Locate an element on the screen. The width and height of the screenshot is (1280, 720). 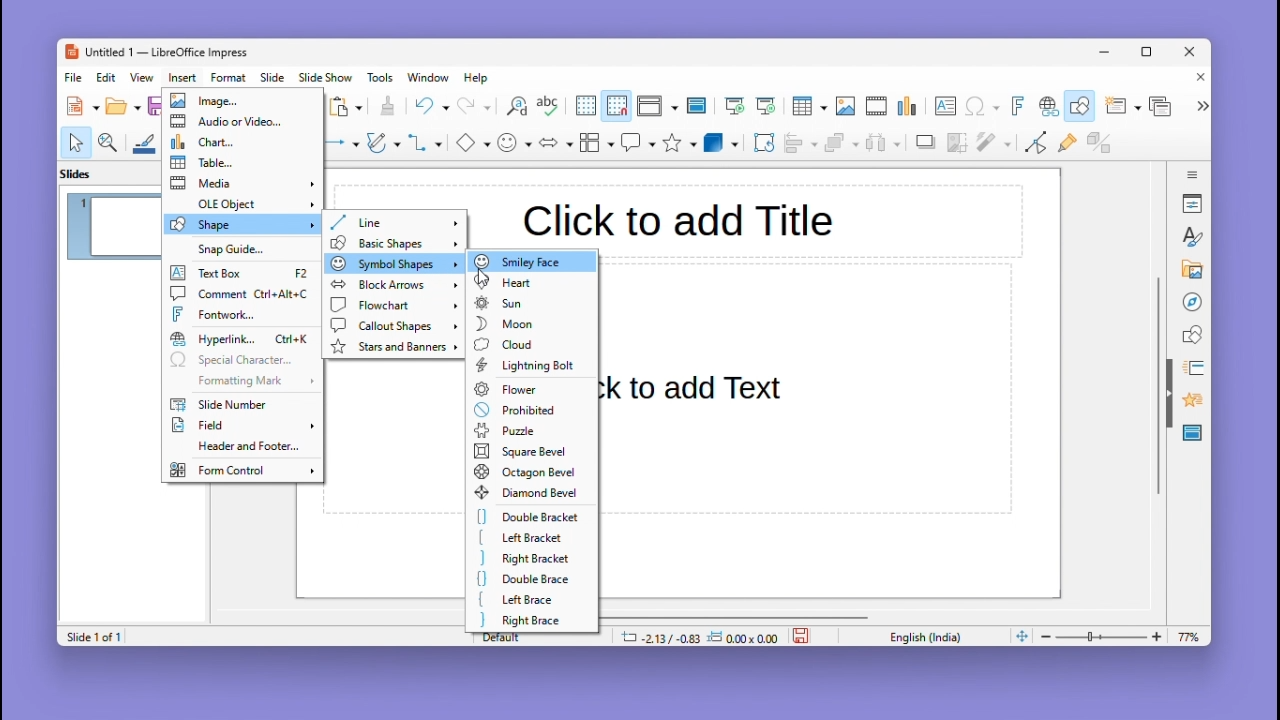
Maximize is located at coordinates (1150, 55).